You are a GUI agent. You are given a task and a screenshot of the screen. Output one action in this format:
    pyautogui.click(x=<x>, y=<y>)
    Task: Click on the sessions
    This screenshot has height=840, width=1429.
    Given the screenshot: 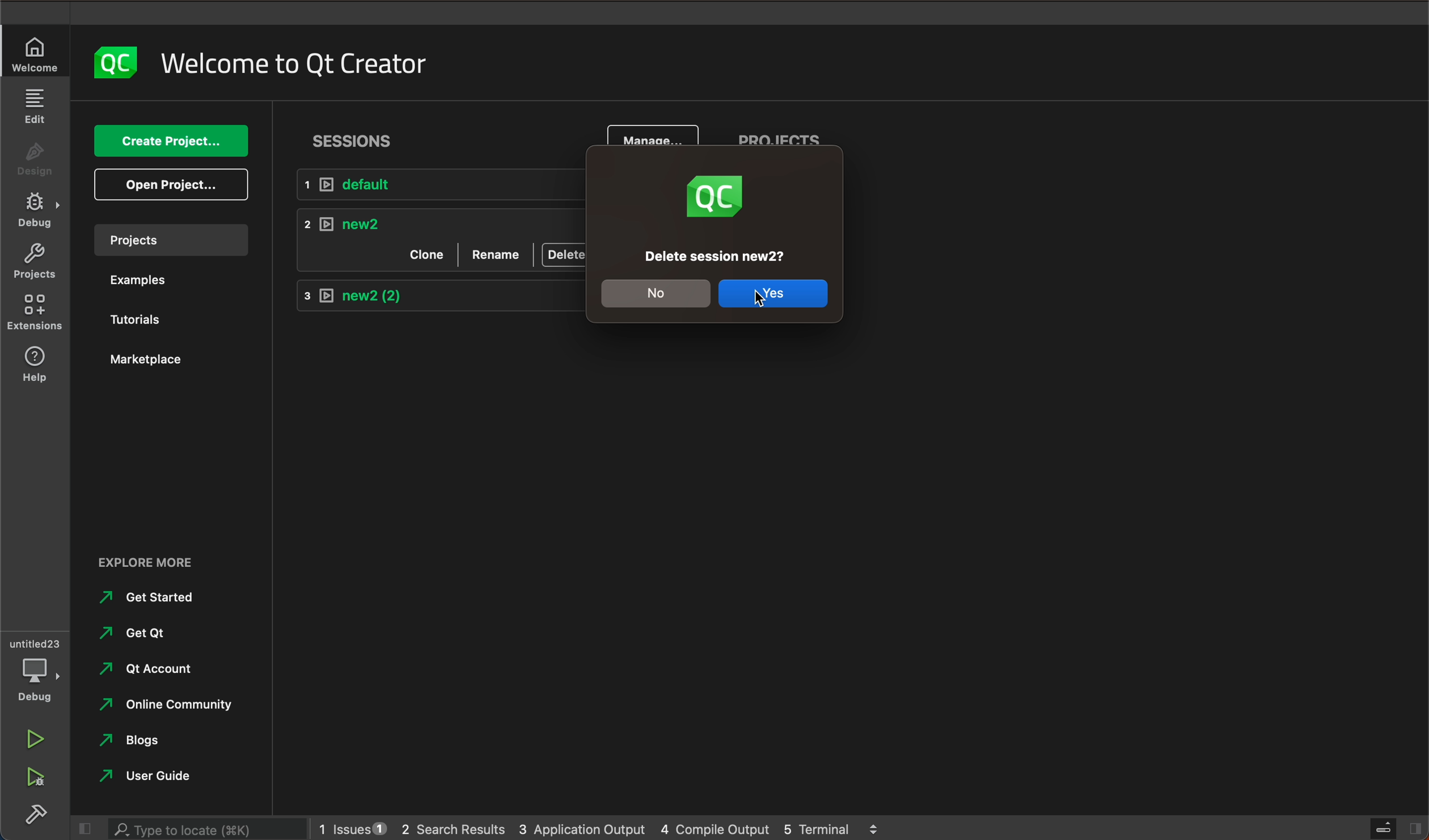 What is the action you would take?
    pyautogui.click(x=358, y=139)
    